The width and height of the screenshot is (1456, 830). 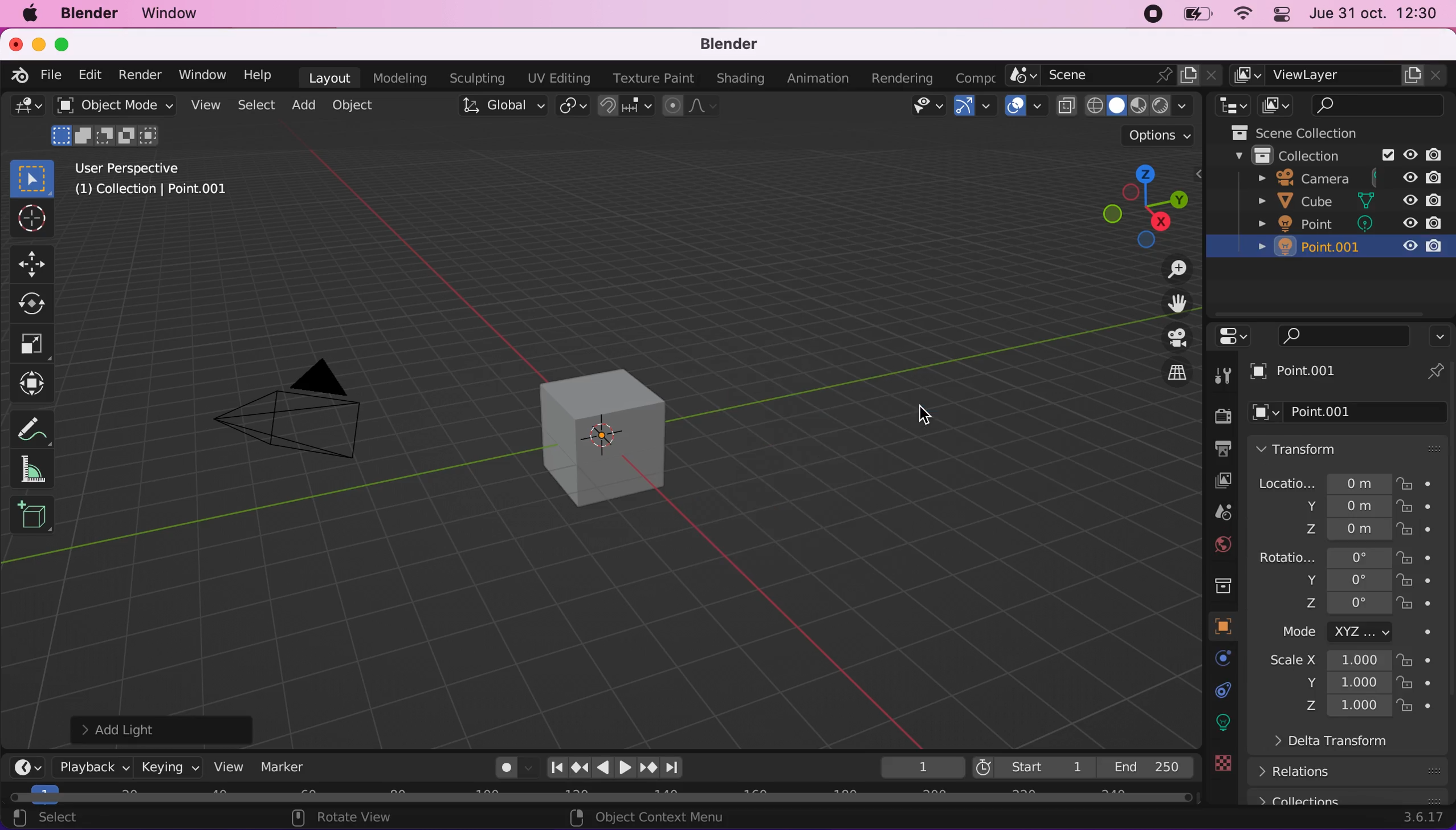 I want to click on object mode, so click(x=116, y=123).